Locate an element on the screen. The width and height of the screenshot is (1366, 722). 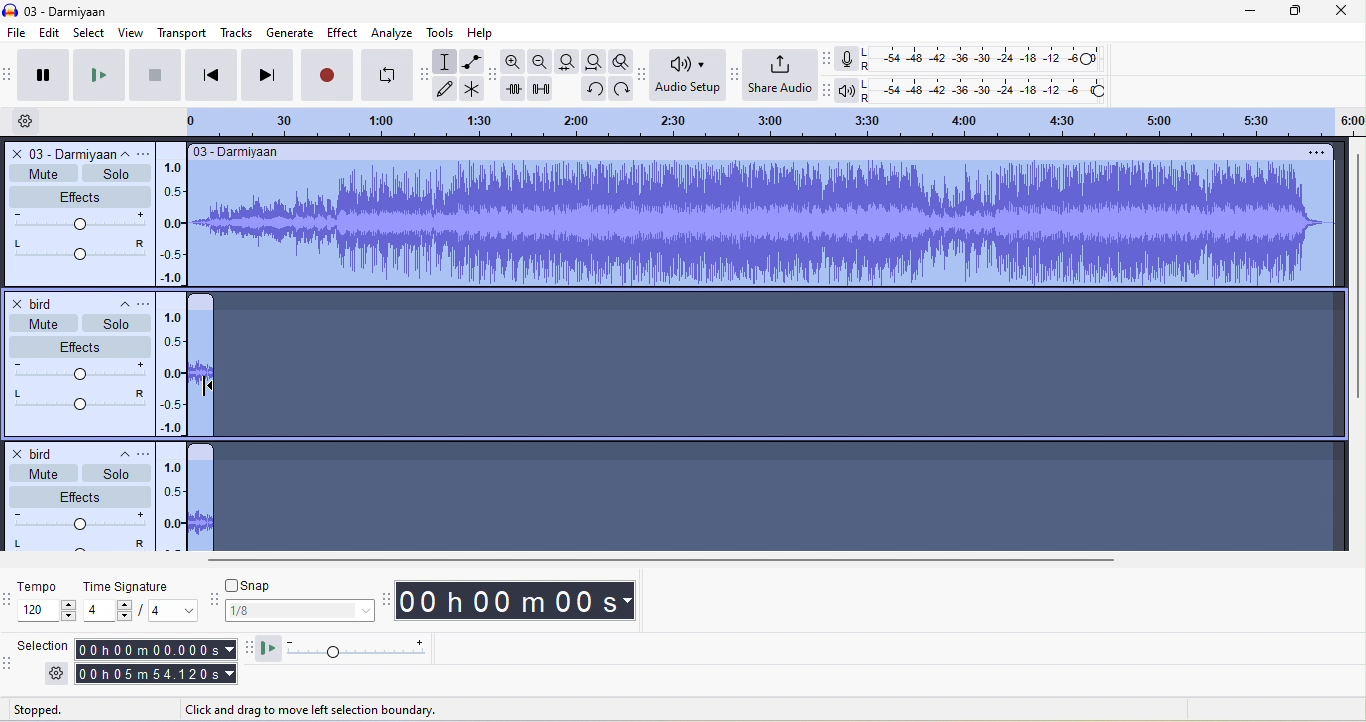
bird is located at coordinates (38, 301).